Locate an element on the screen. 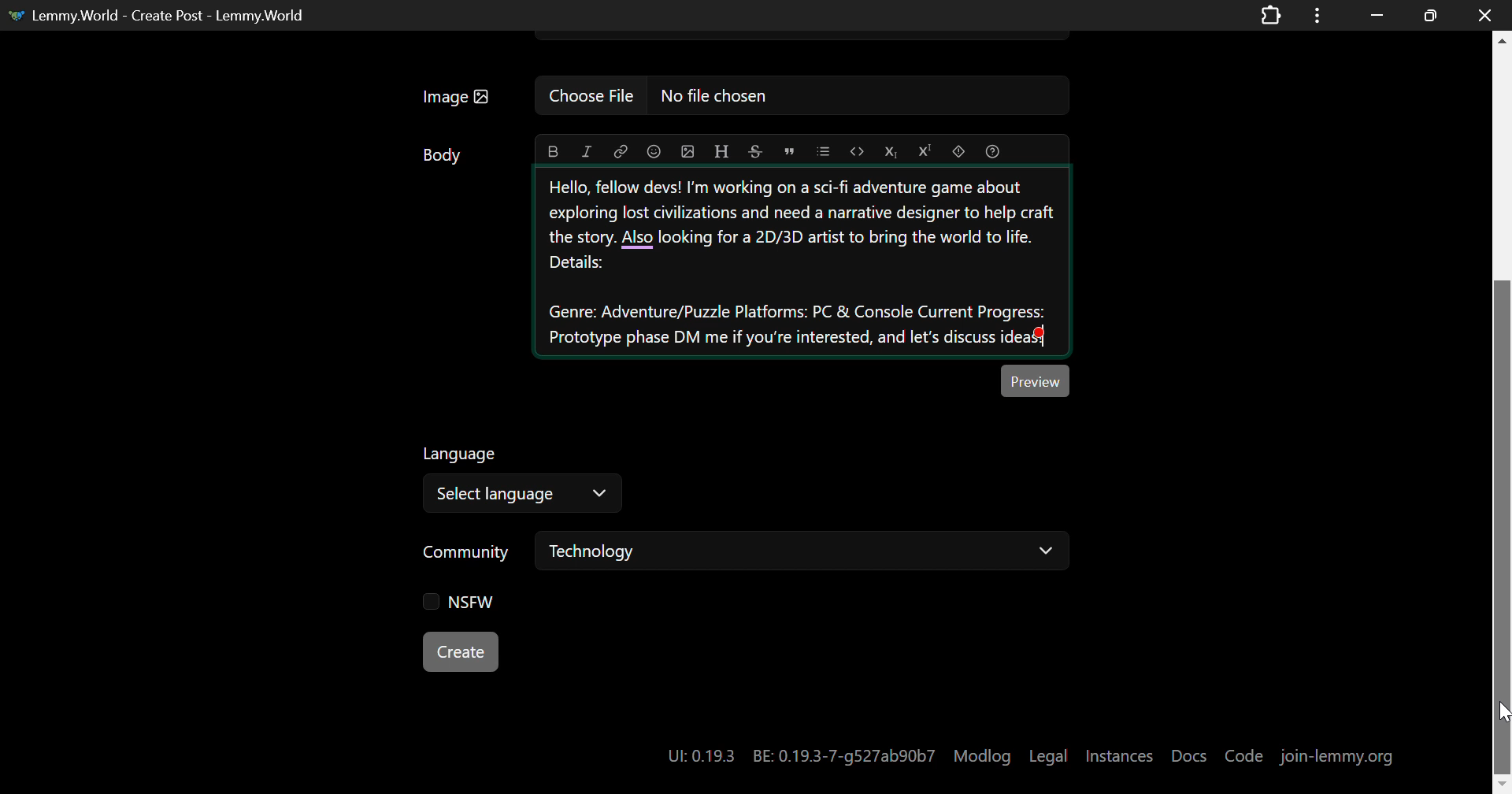  Modlog is located at coordinates (983, 755).